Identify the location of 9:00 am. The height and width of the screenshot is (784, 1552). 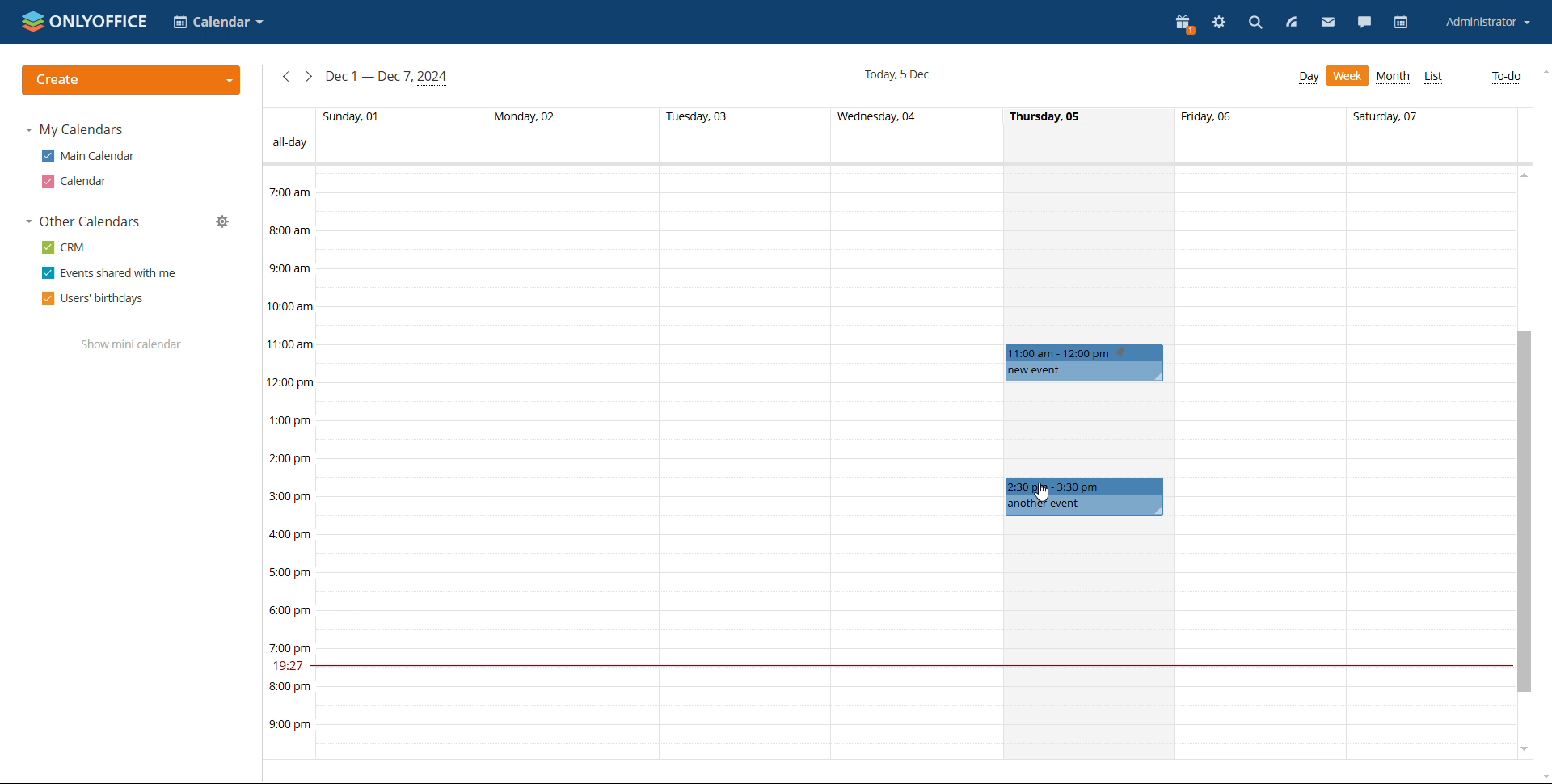
(289, 269).